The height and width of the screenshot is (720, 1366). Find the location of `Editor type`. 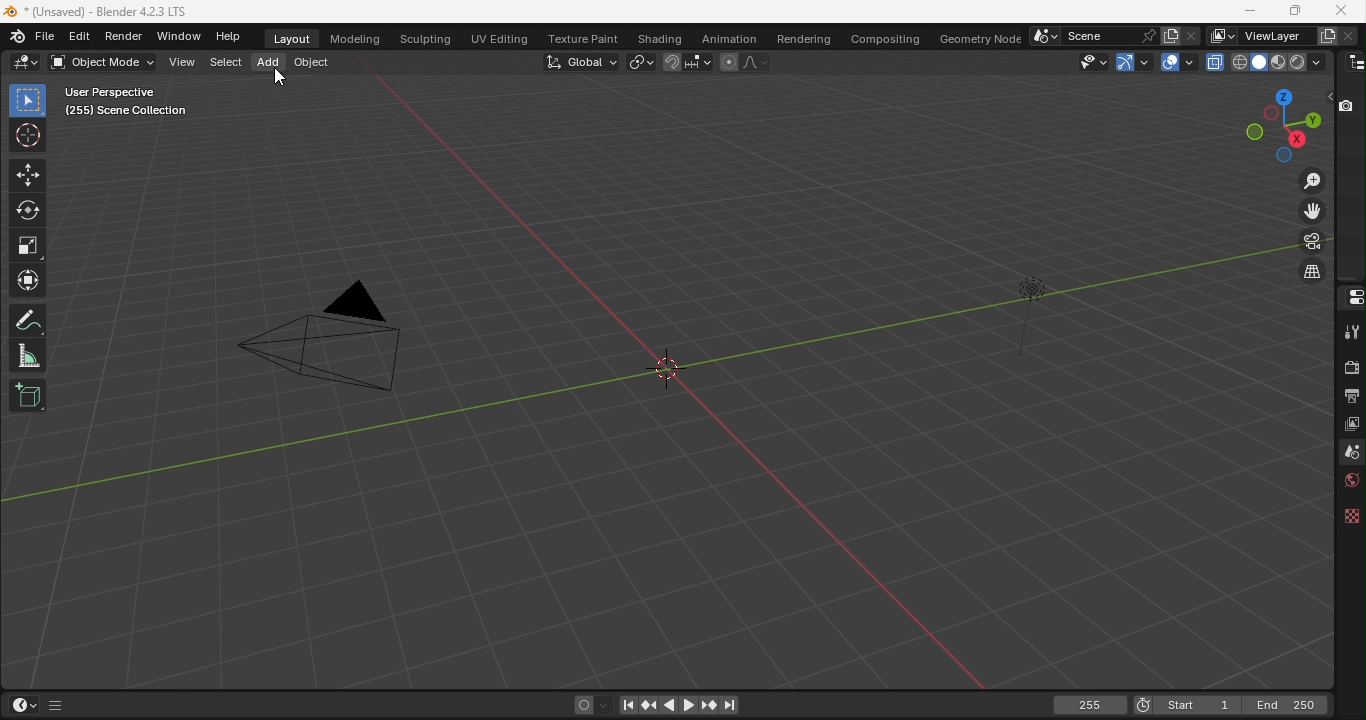

Editor type is located at coordinates (1349, 298).